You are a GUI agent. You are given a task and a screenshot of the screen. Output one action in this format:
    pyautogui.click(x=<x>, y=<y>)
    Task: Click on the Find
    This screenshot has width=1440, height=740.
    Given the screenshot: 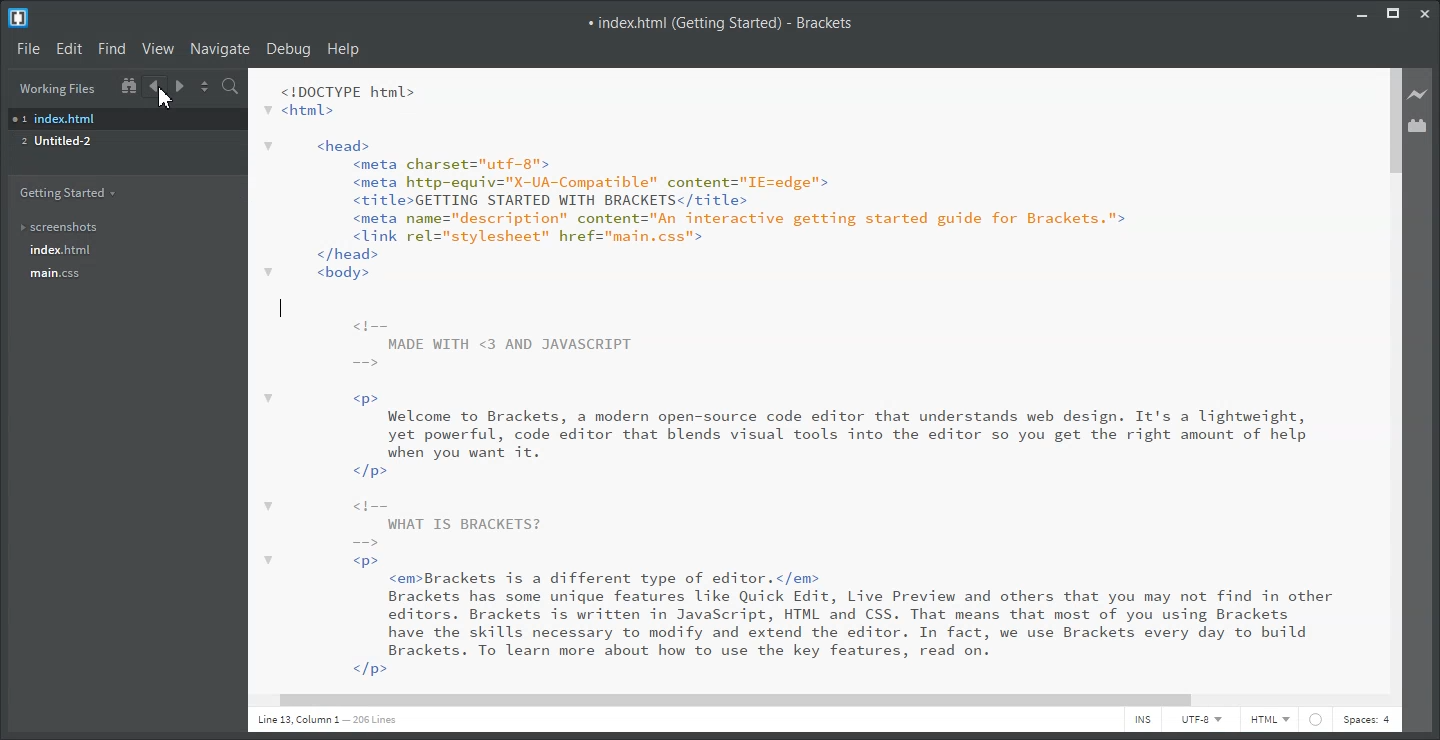 What is the action you would take?
    pyautogui.click(x=112, y=49)
    